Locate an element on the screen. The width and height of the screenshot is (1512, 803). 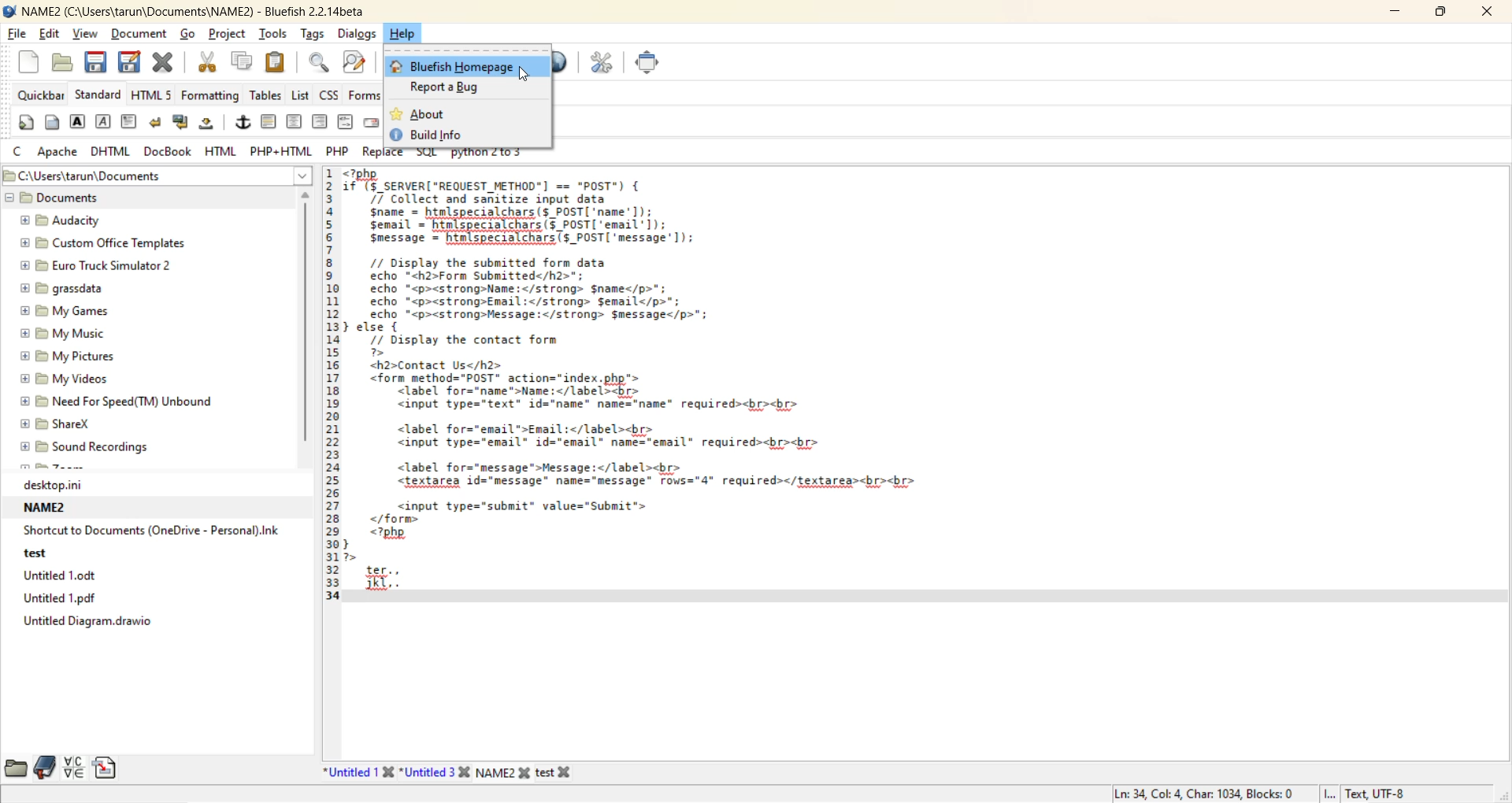
open is located at coordinates (65, 61).